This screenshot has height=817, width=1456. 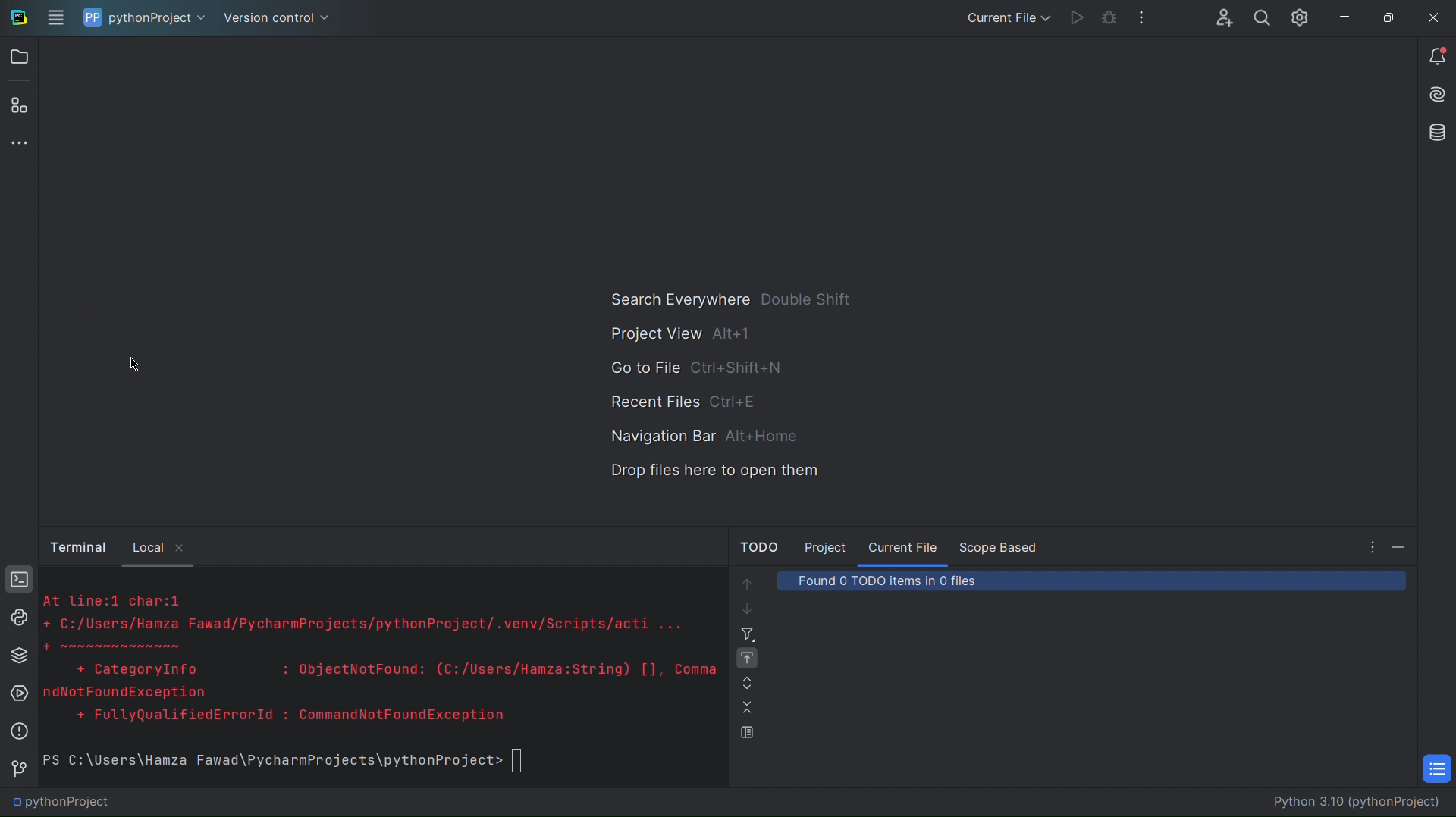 I want to click on Project View, so click(x=682, y=333).